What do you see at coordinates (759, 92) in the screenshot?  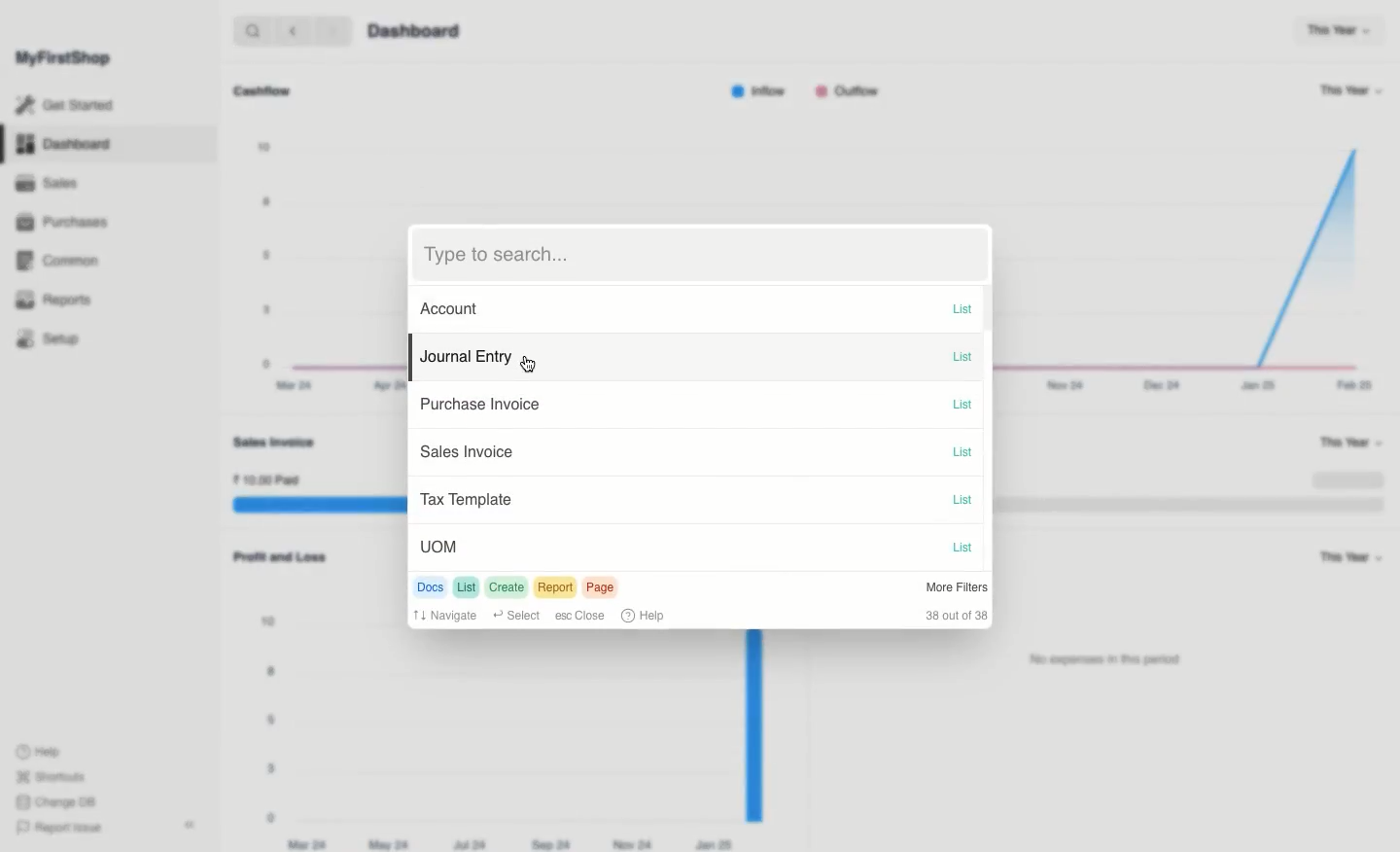 I see `Inflow` at bounding box center [759, 92].